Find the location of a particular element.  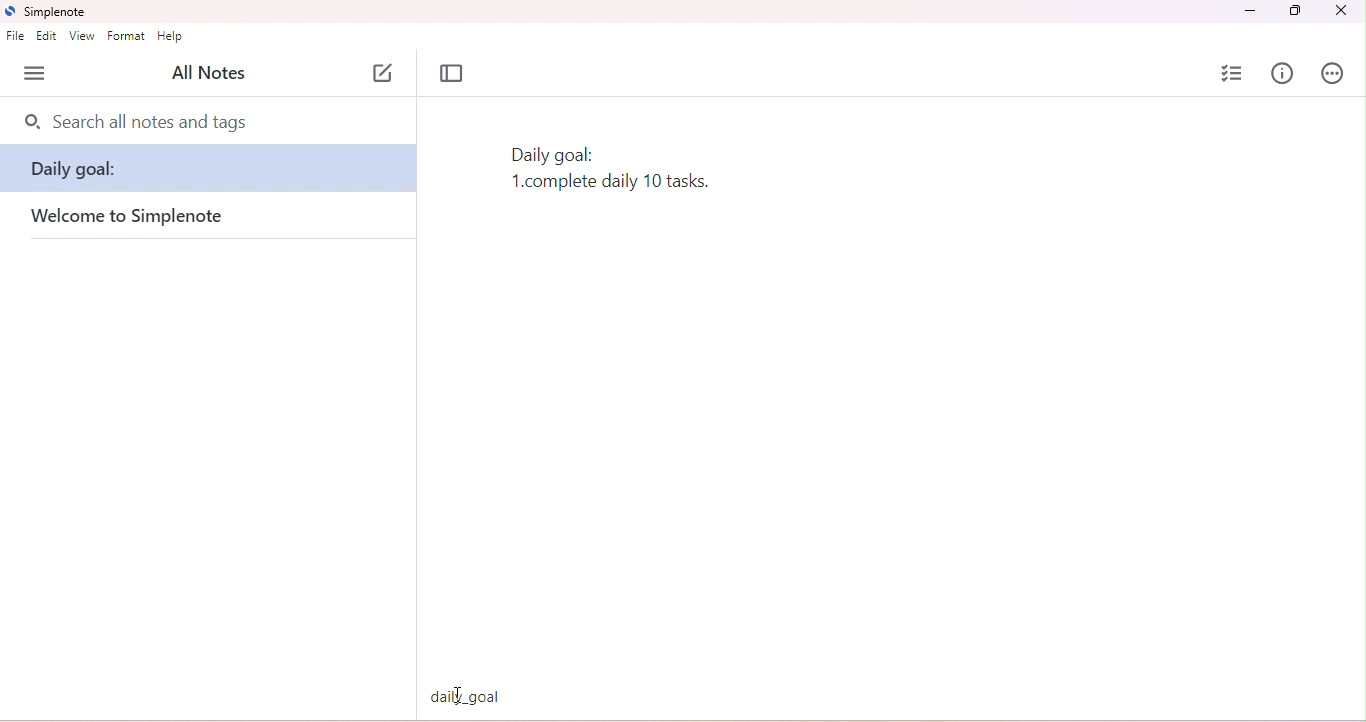

maximize is located at coordinates (1296, 11).